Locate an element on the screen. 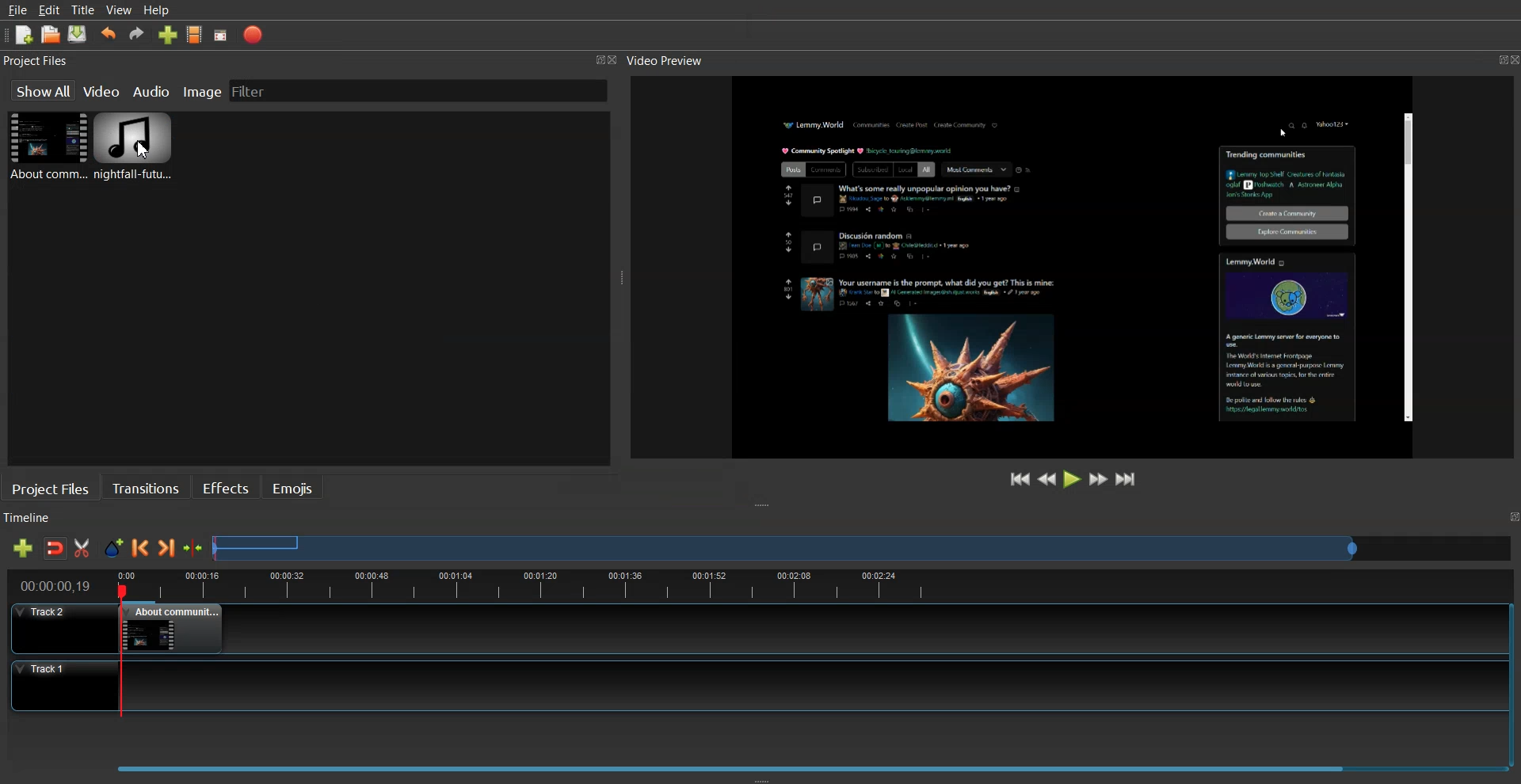 This screenshot has height=784, width=1521. Transition is located at coordinates (146, 487).